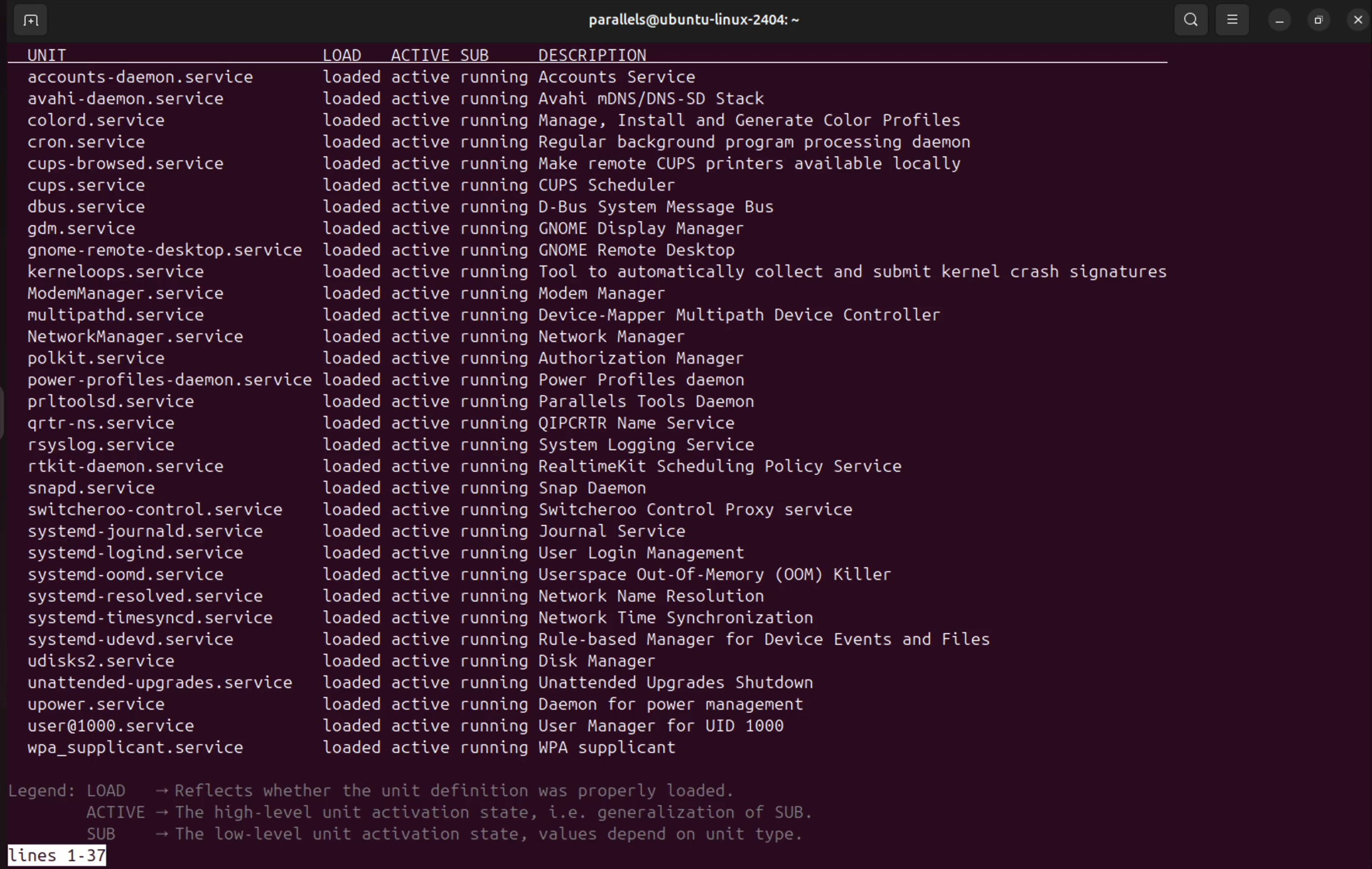  Describe the element at coordinates (607, 707) in the screenshot. I see `active running power management` at that location.